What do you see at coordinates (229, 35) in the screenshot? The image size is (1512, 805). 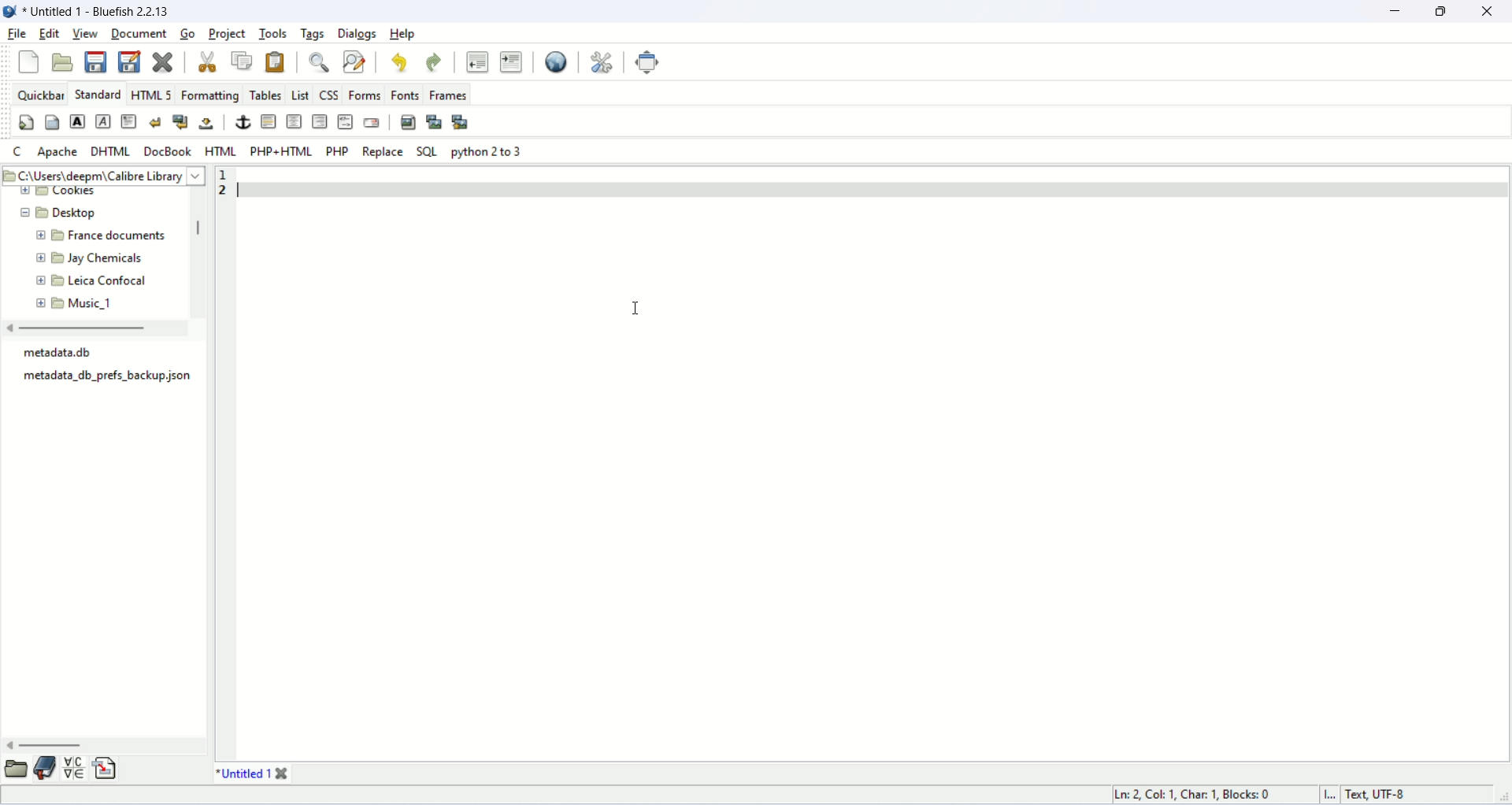 I see `project` at bounding box center [229, 35].